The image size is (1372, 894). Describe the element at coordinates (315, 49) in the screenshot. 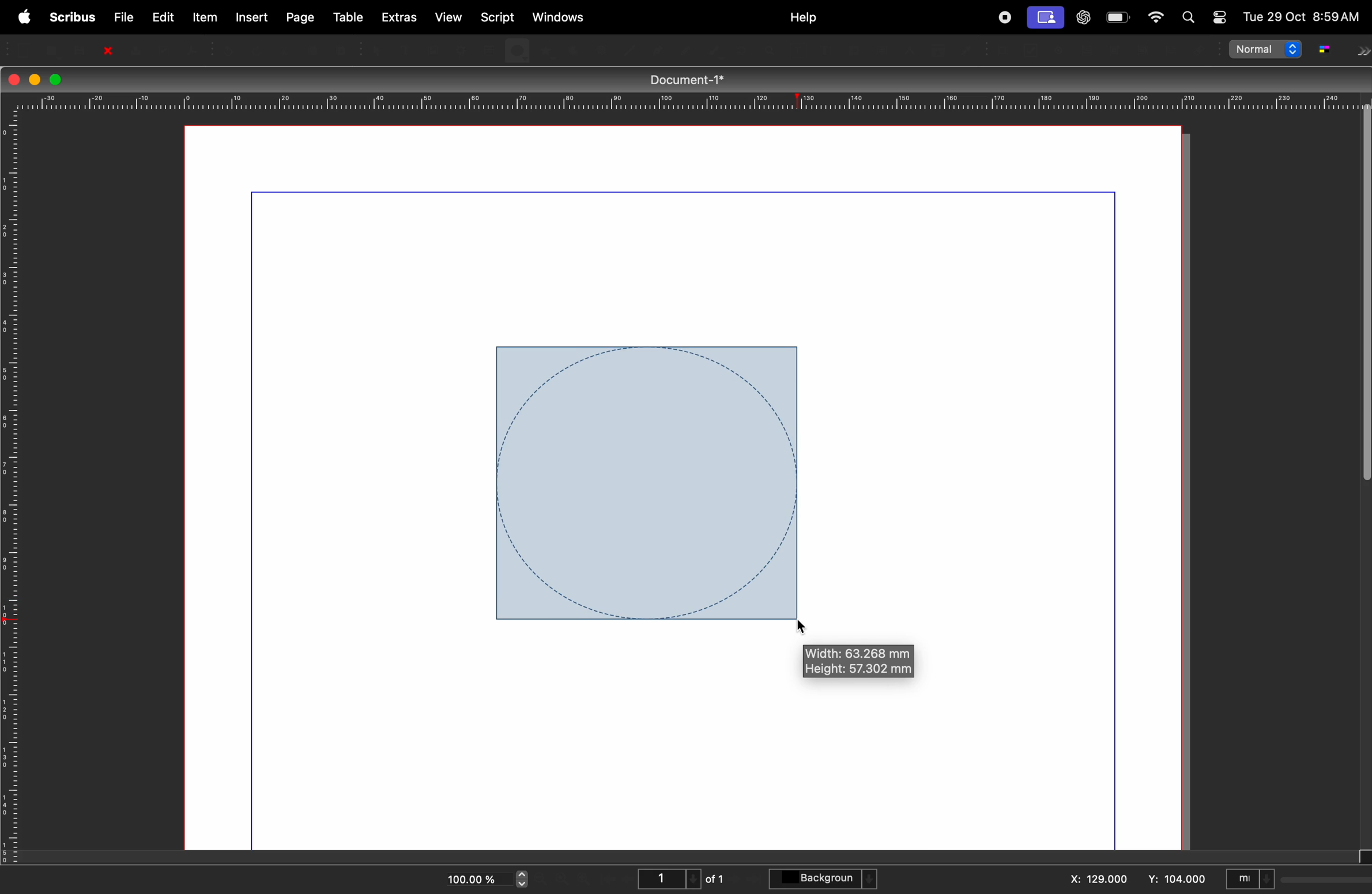

I see `Copy` at that location.